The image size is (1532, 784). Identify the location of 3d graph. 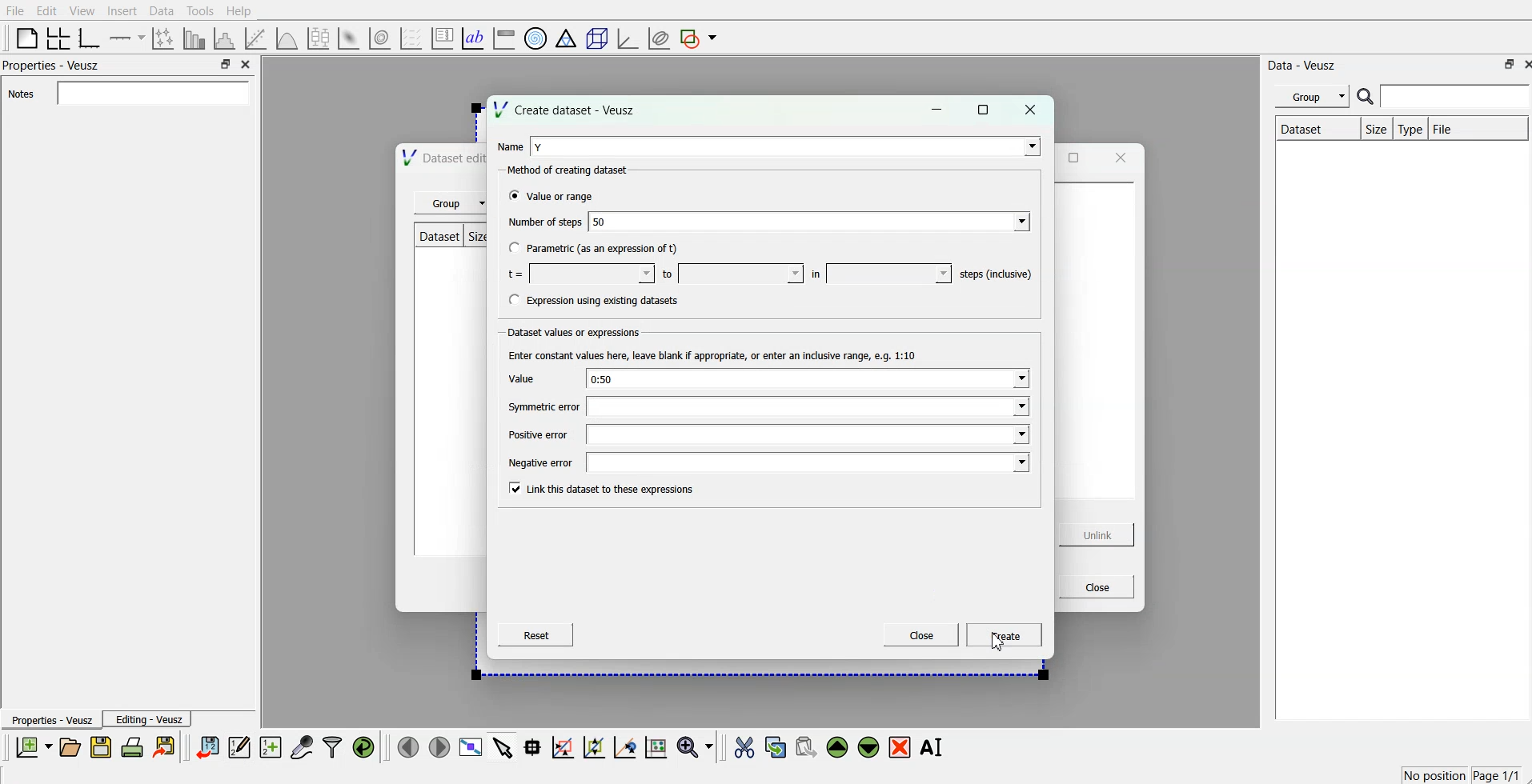
(627, 35).